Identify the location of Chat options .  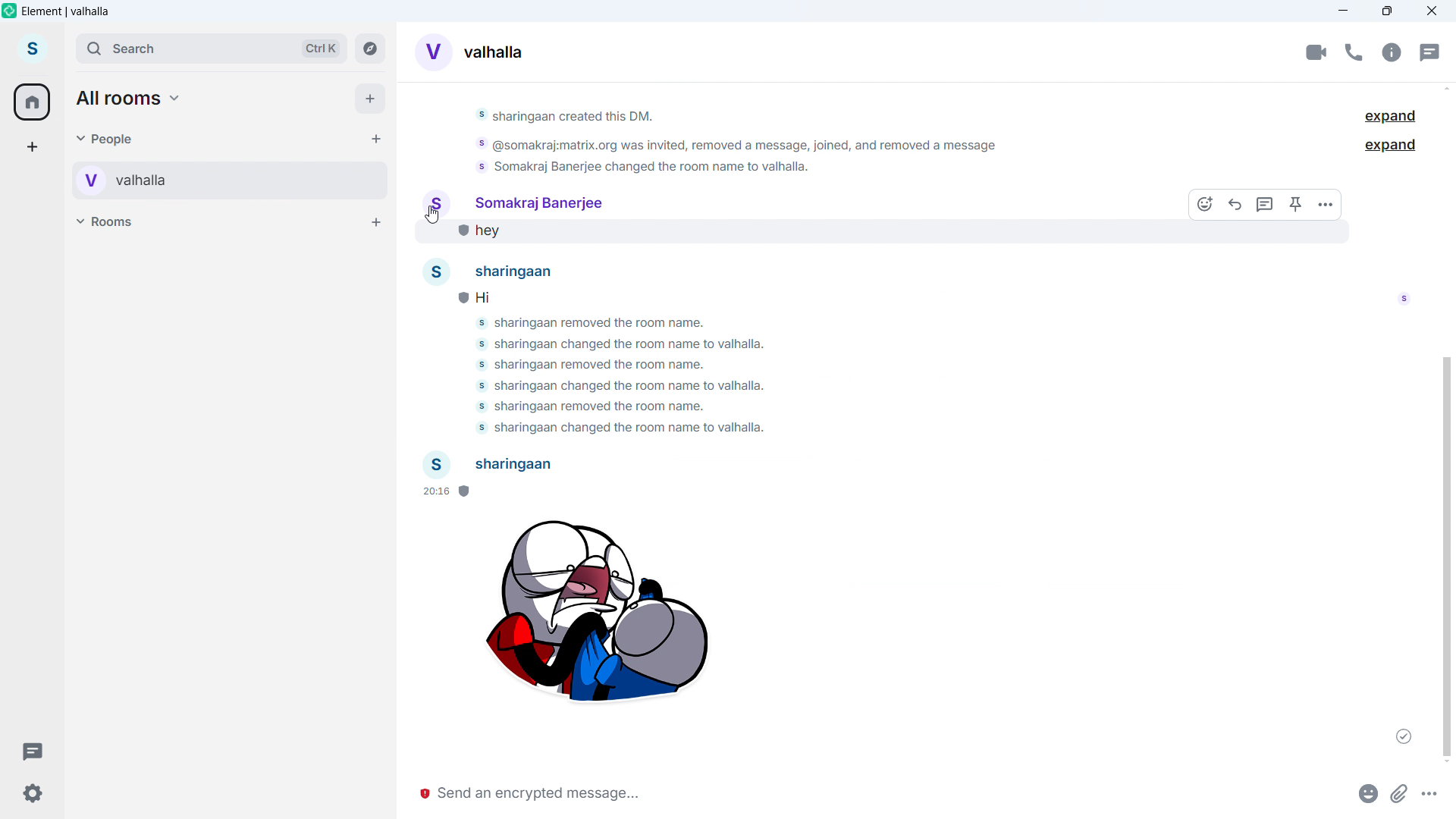
(1391, 52).